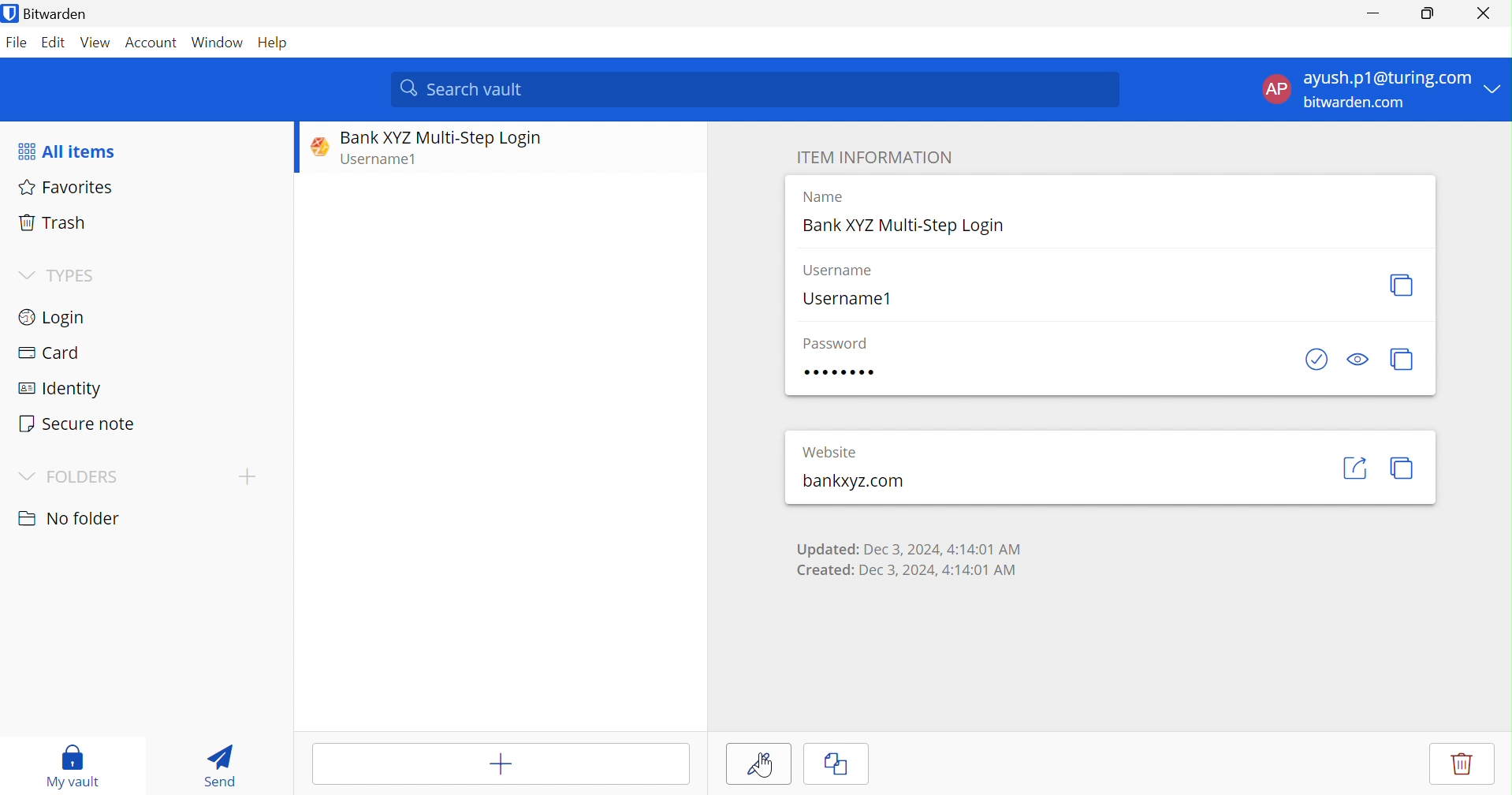 This screenshot has height=795, width=1512. What do you see at coordinates (758, 764) in the screenshot?
I see `Edit` at bounding box center [758, 764].